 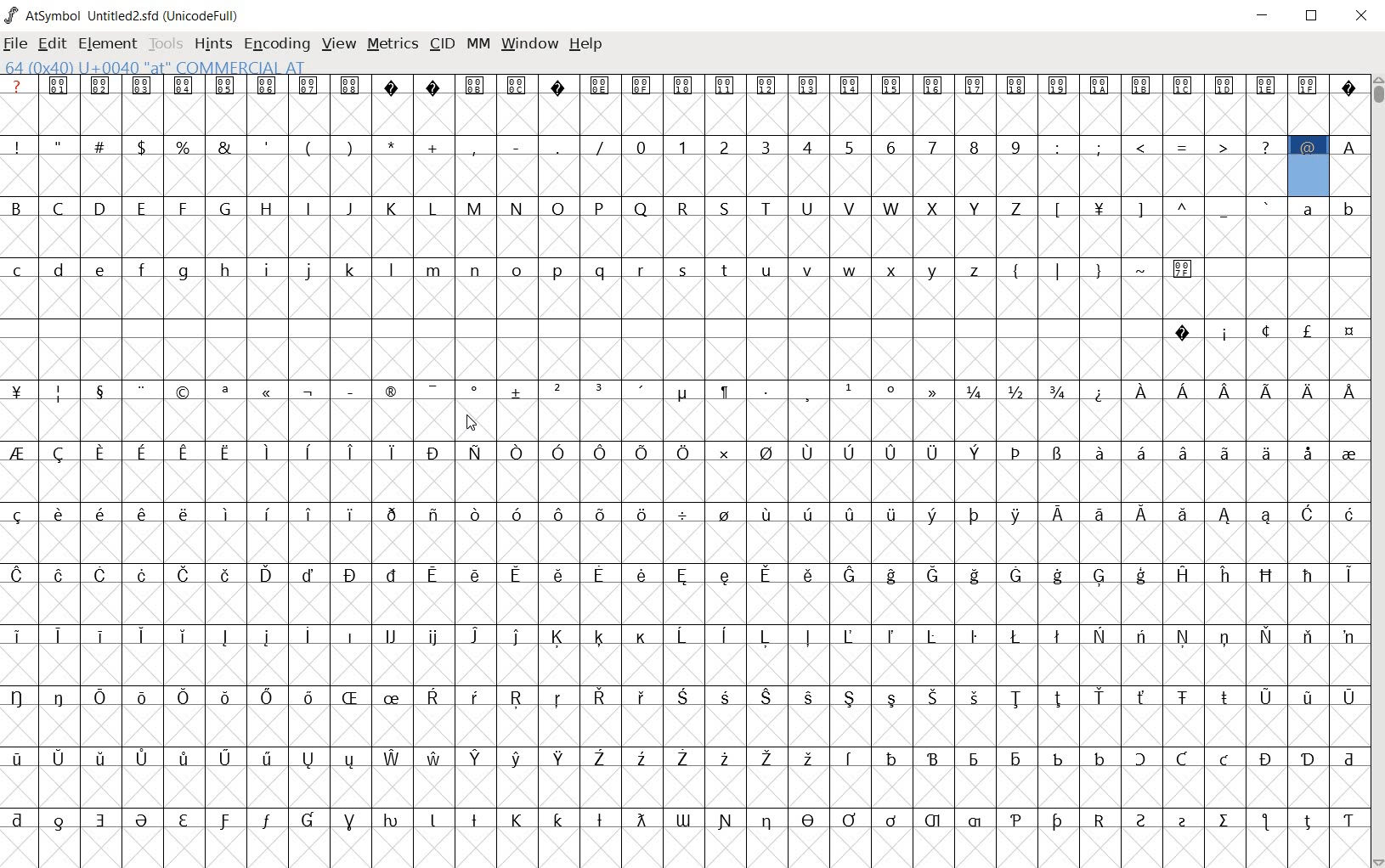 I want to click on hints, so click(x=212, y=44).